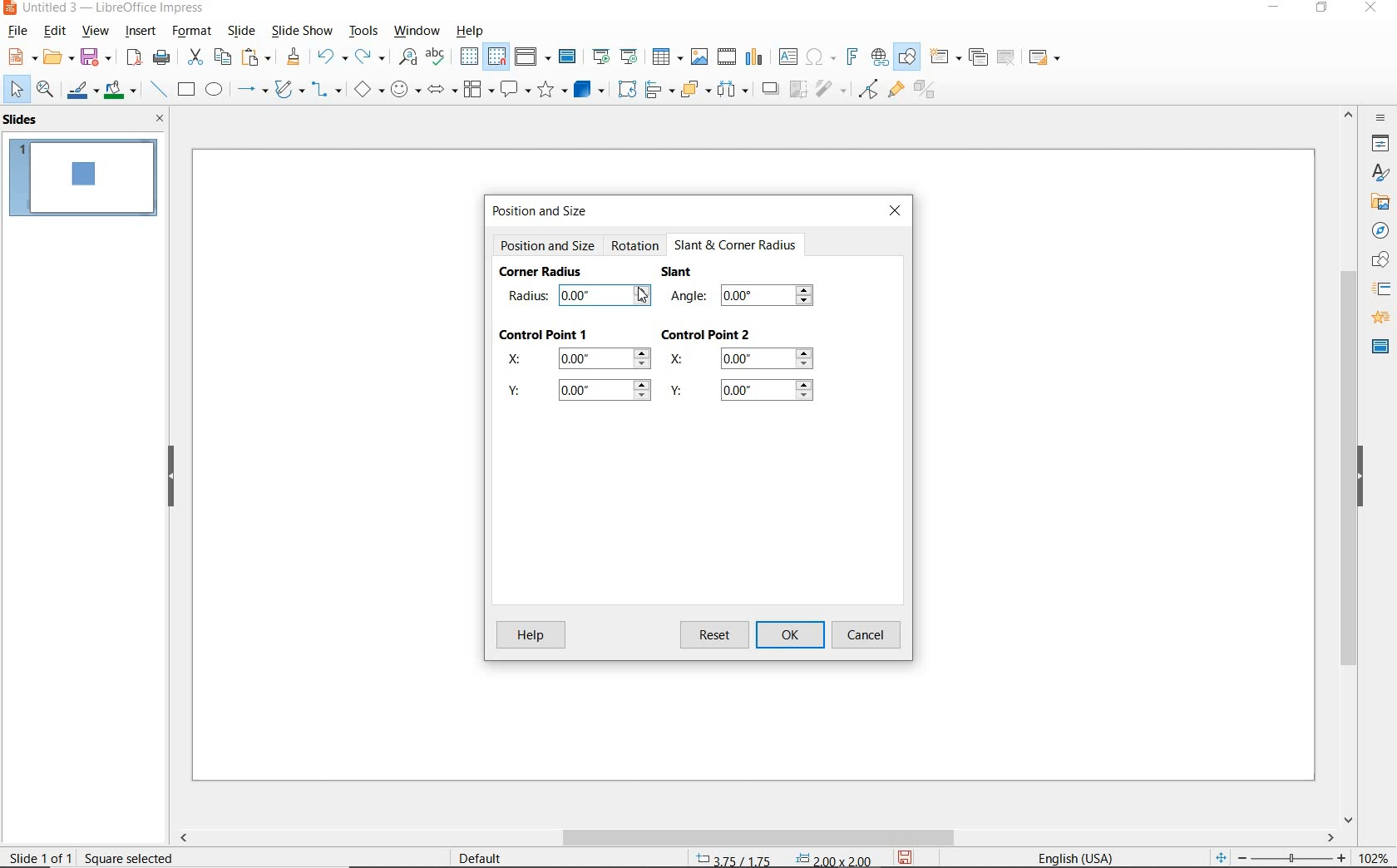 This screenshot has height=868, width=1397. Describe the element at coordinates (1380, 201) in the screenshot. I see `gallery` at that location.